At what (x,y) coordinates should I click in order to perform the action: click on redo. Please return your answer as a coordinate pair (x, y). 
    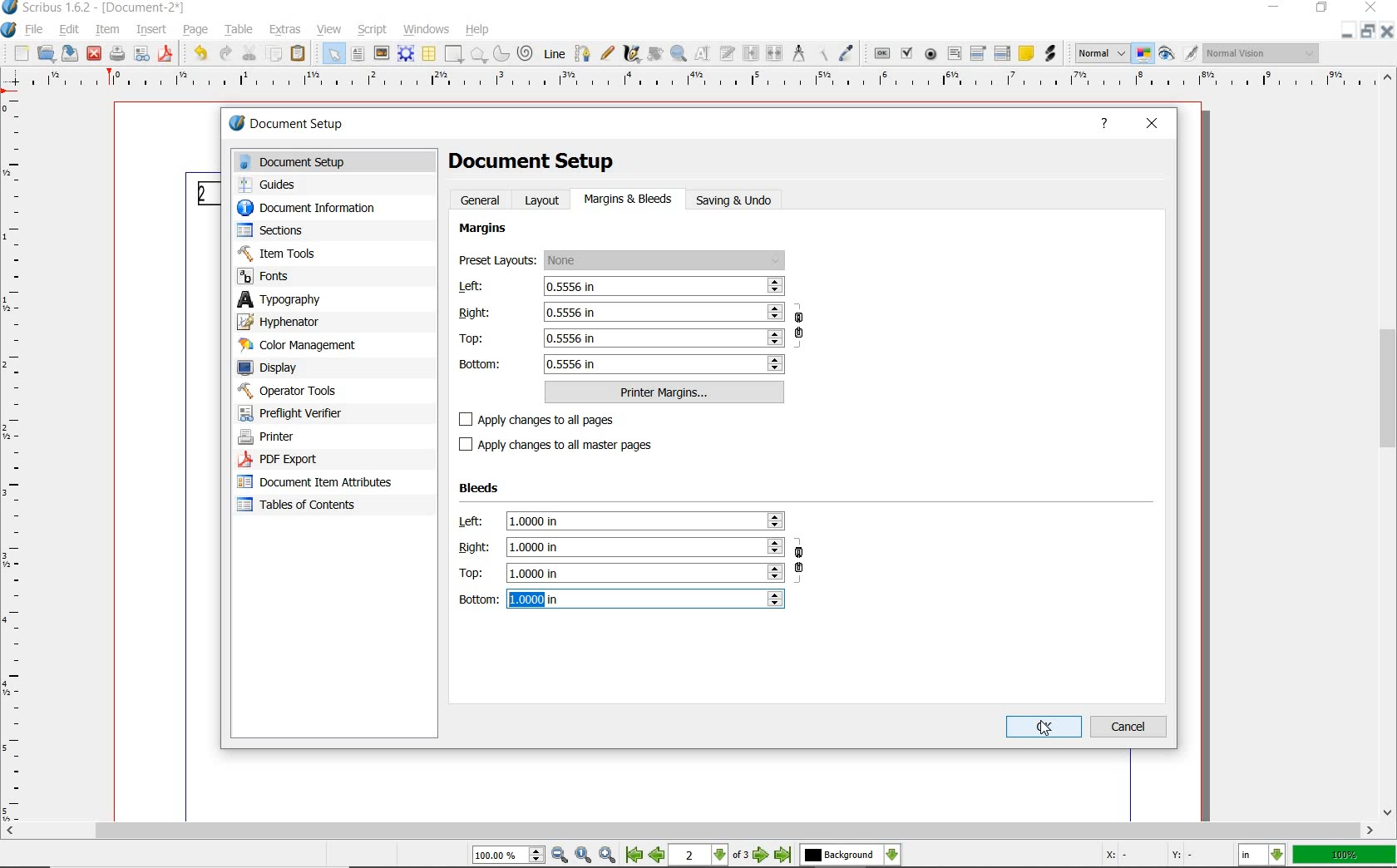
    Looking at the image, I should click on (224, 53).